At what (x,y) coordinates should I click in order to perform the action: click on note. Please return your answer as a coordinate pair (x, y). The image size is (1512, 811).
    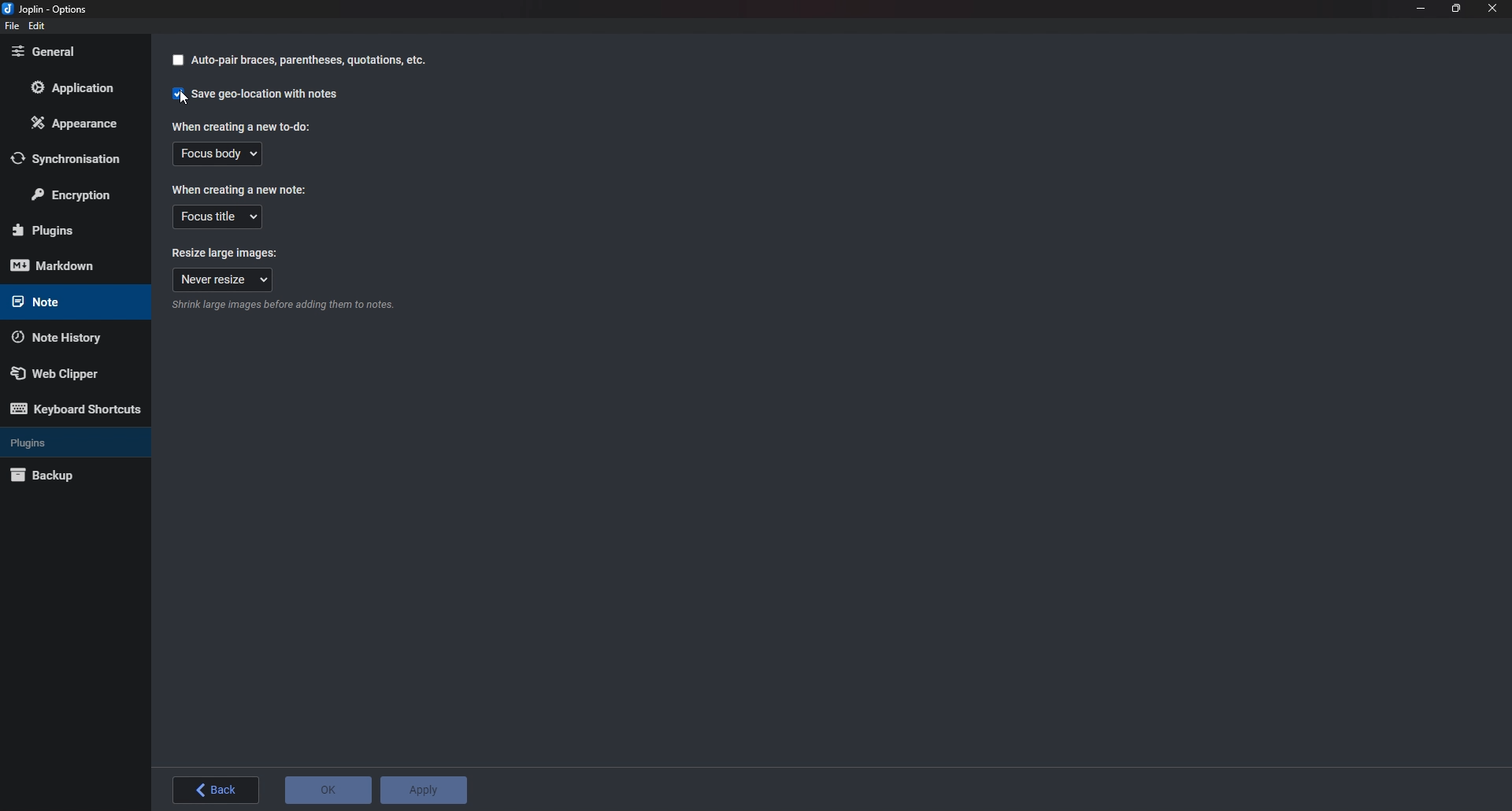
    Looking at the image, I should click on (67, 302).